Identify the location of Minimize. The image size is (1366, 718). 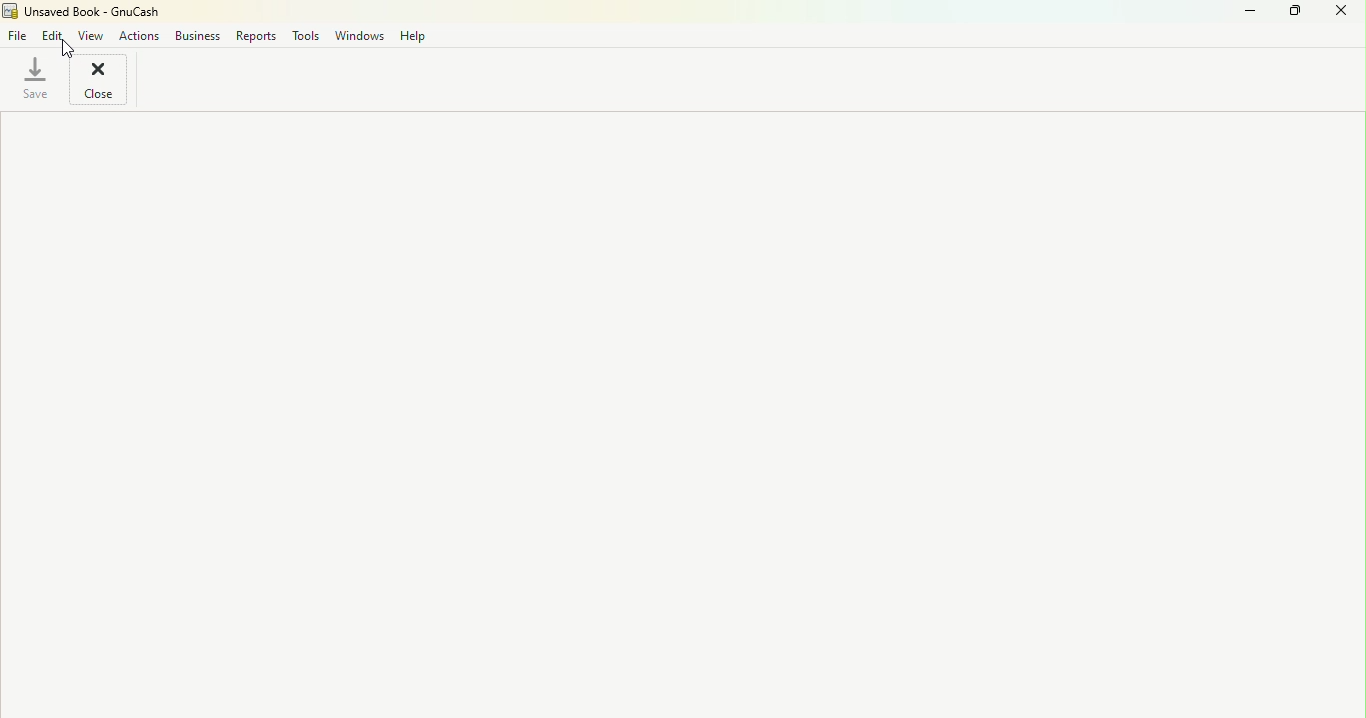
(1247, 16).